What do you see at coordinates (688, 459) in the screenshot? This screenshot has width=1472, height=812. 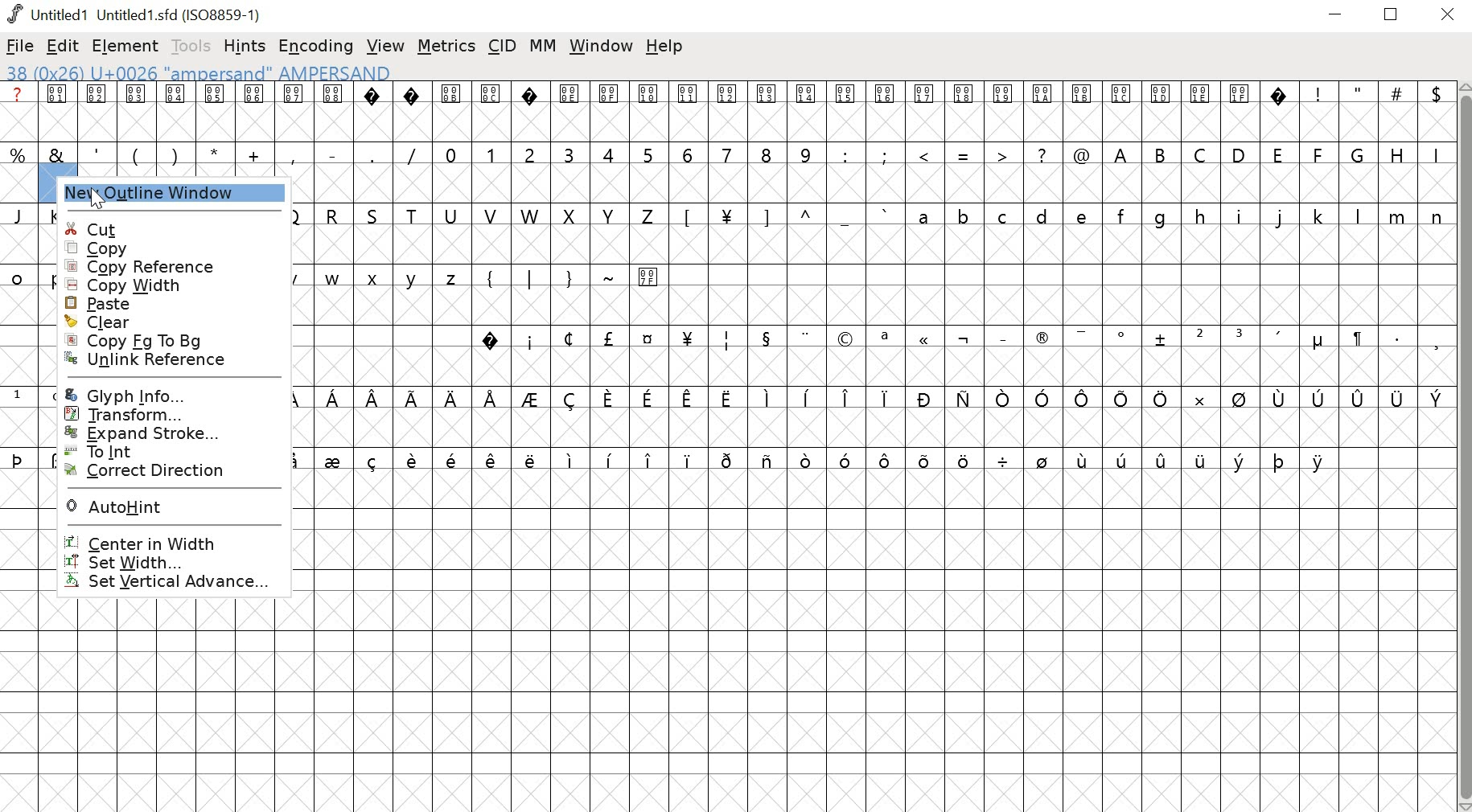 I see `symbol` at bounding box center [688, 459].